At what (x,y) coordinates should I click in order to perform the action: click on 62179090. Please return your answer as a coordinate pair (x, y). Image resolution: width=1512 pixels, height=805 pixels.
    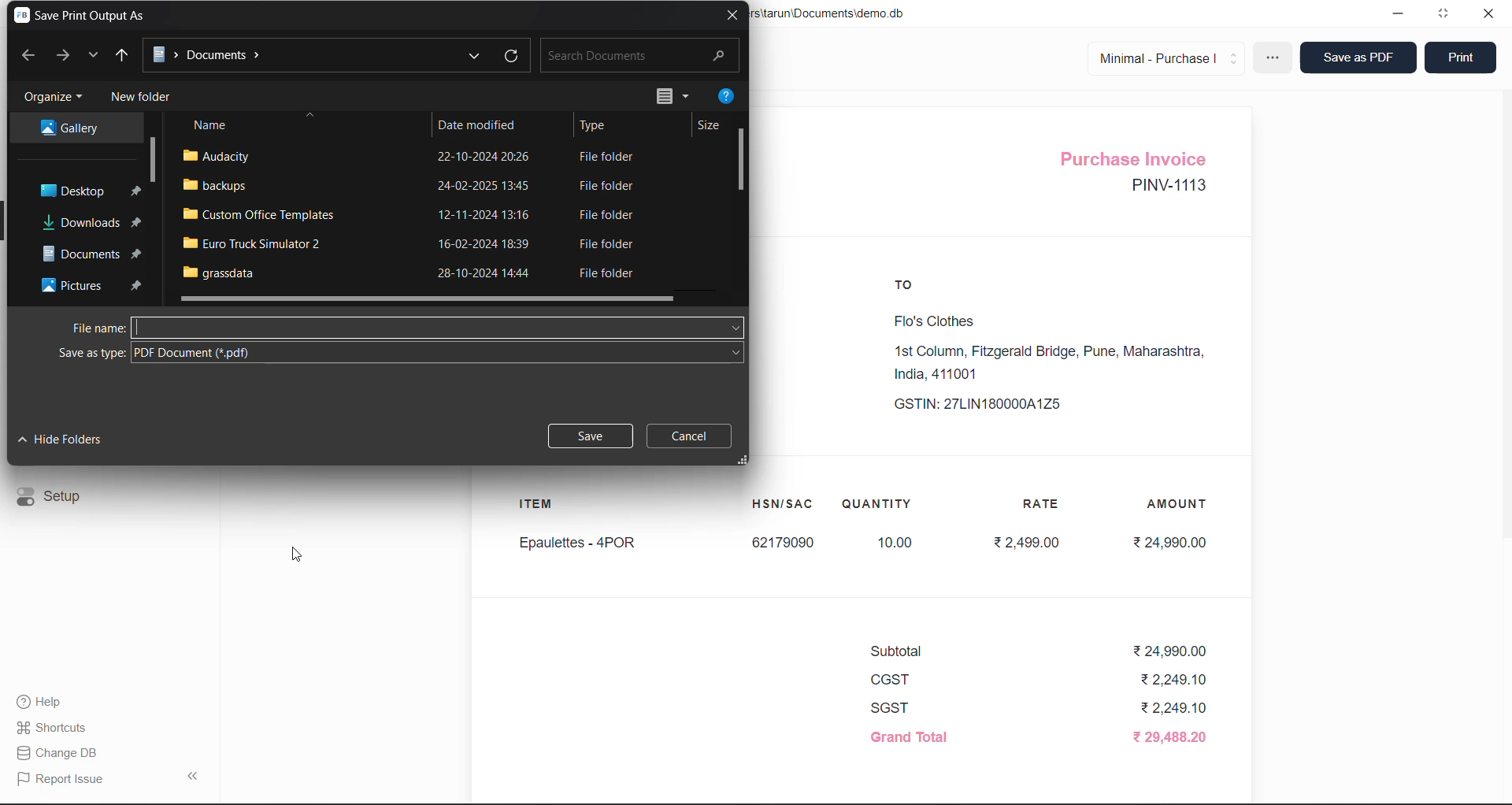
    Looking at the image, I should click on (785, 542).